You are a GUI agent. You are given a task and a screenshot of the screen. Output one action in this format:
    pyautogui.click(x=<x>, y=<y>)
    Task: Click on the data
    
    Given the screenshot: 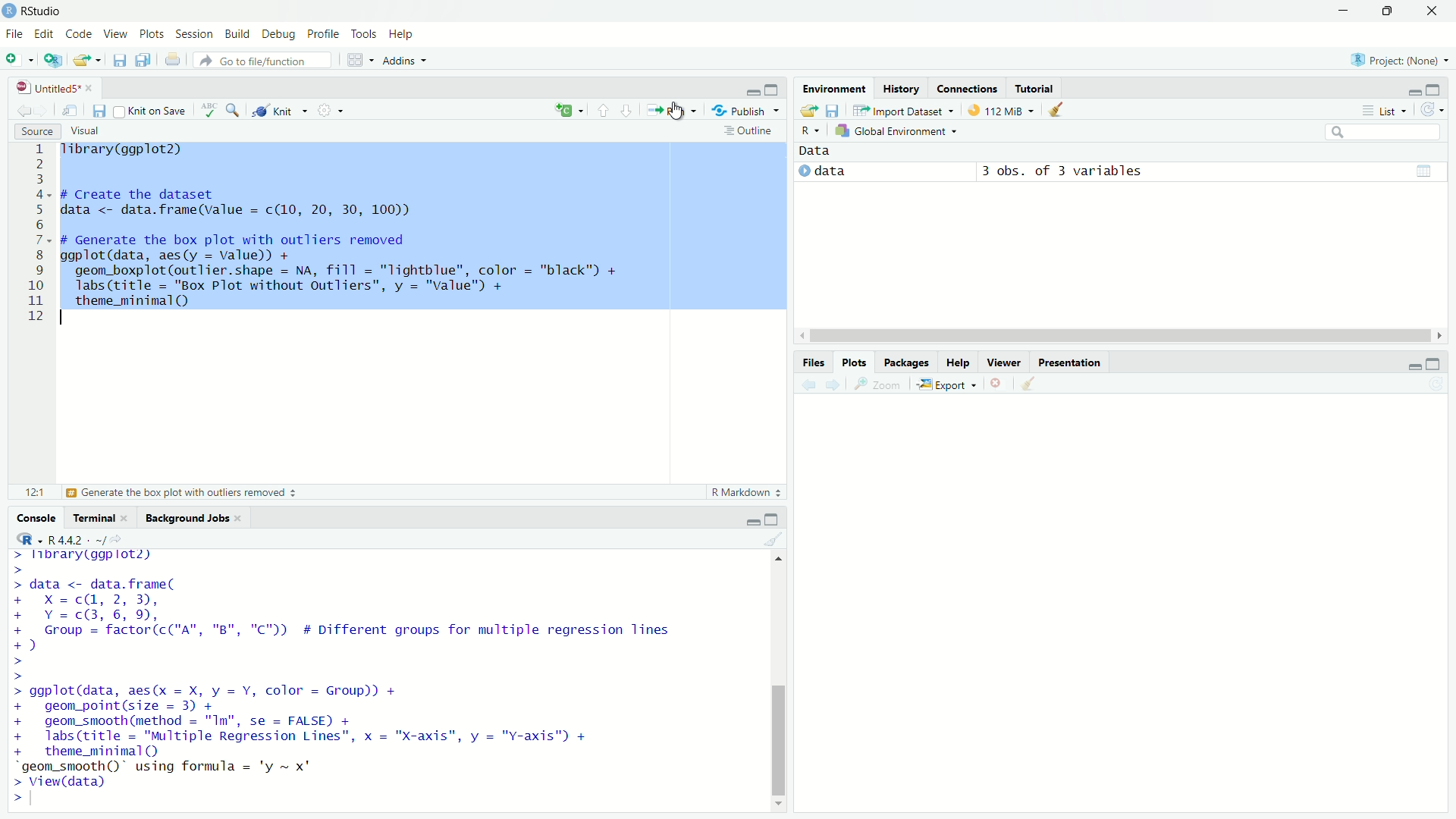 What is the action you would take?
    pyautogui.click(x=825, y=151)
    